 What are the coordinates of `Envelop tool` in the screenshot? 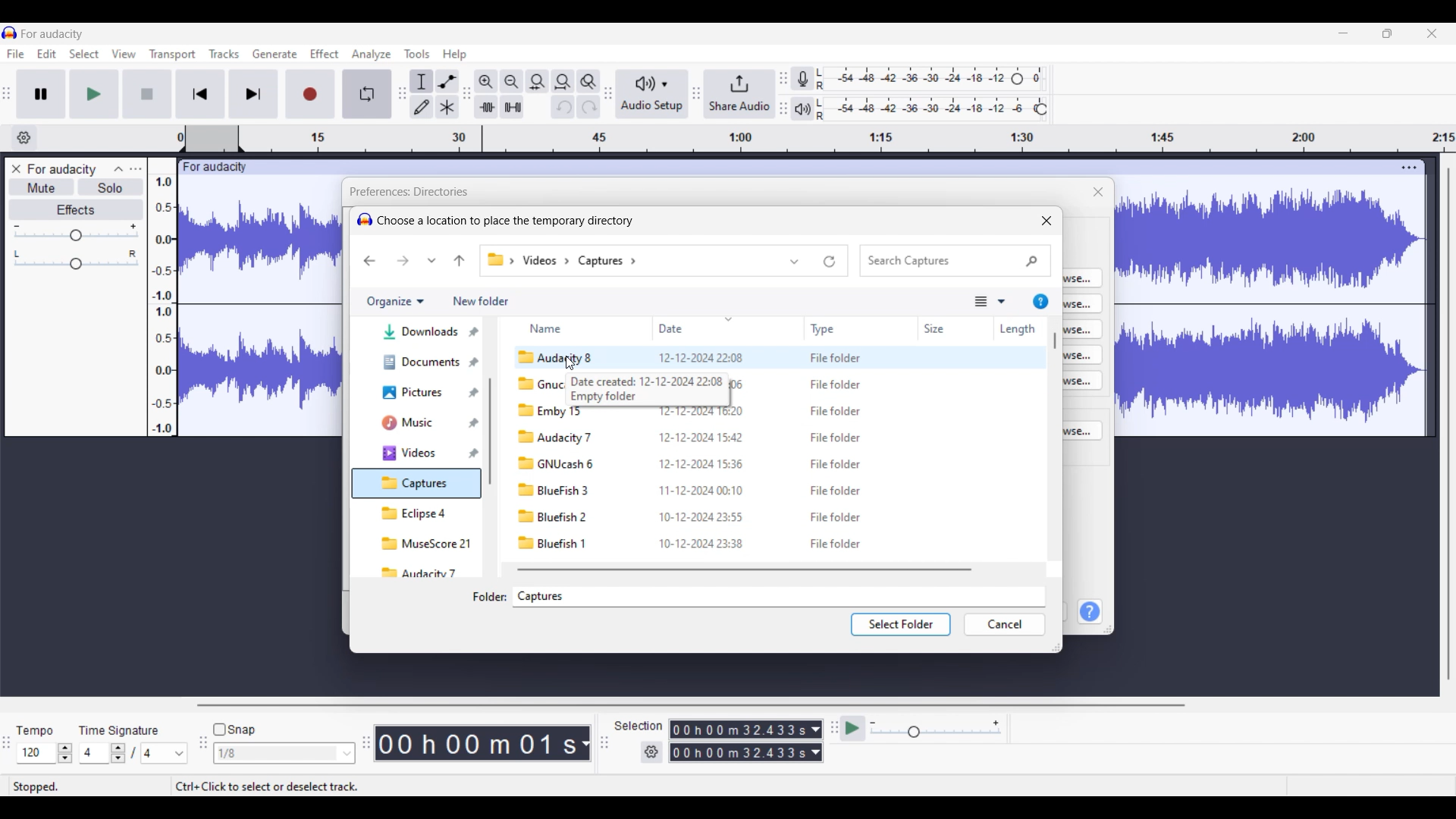 It's located at (447, 82).